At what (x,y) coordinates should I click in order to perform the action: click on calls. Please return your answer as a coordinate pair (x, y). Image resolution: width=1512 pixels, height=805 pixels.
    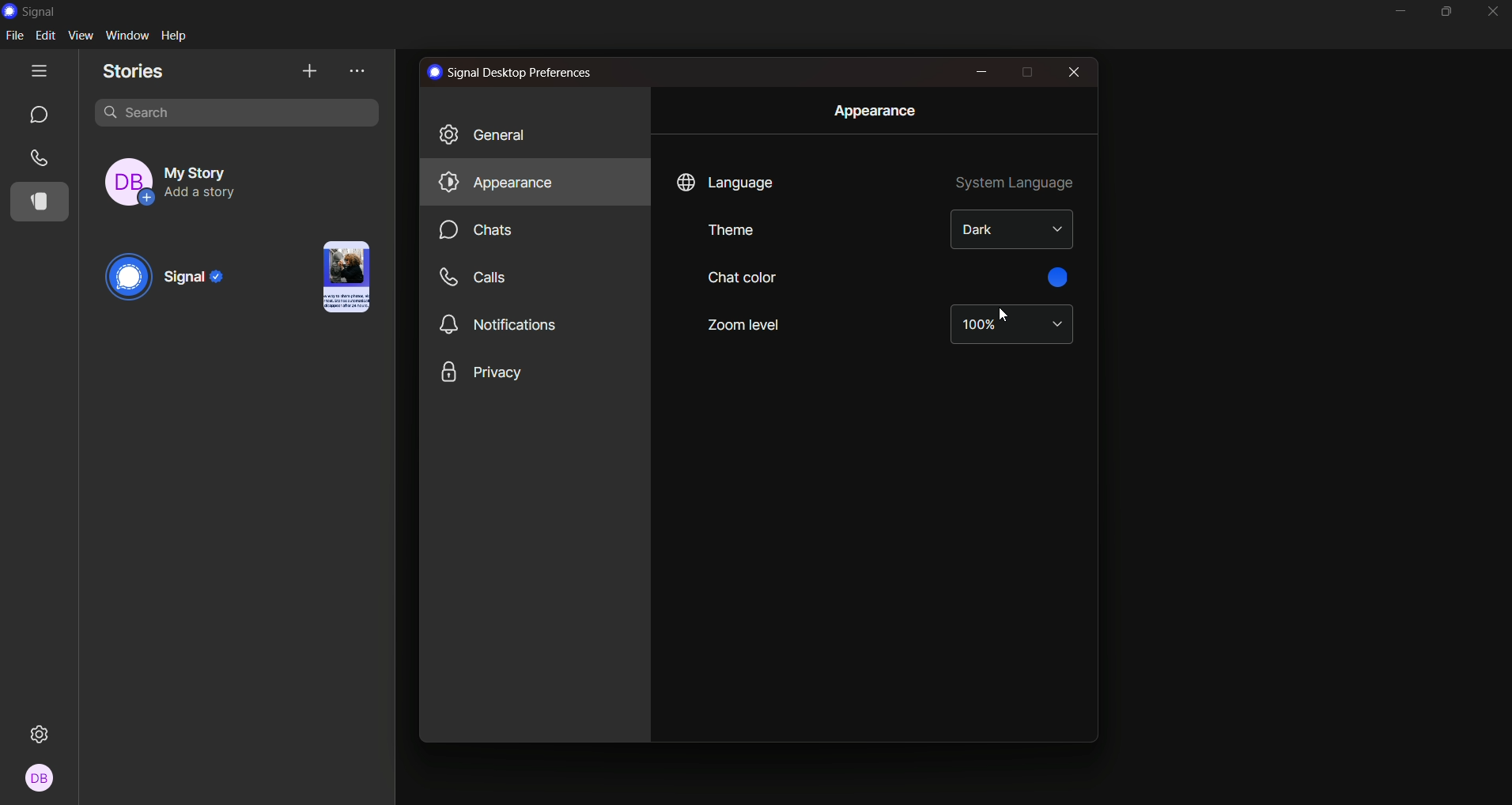
    Looking at the image, I should click on (478, 278).